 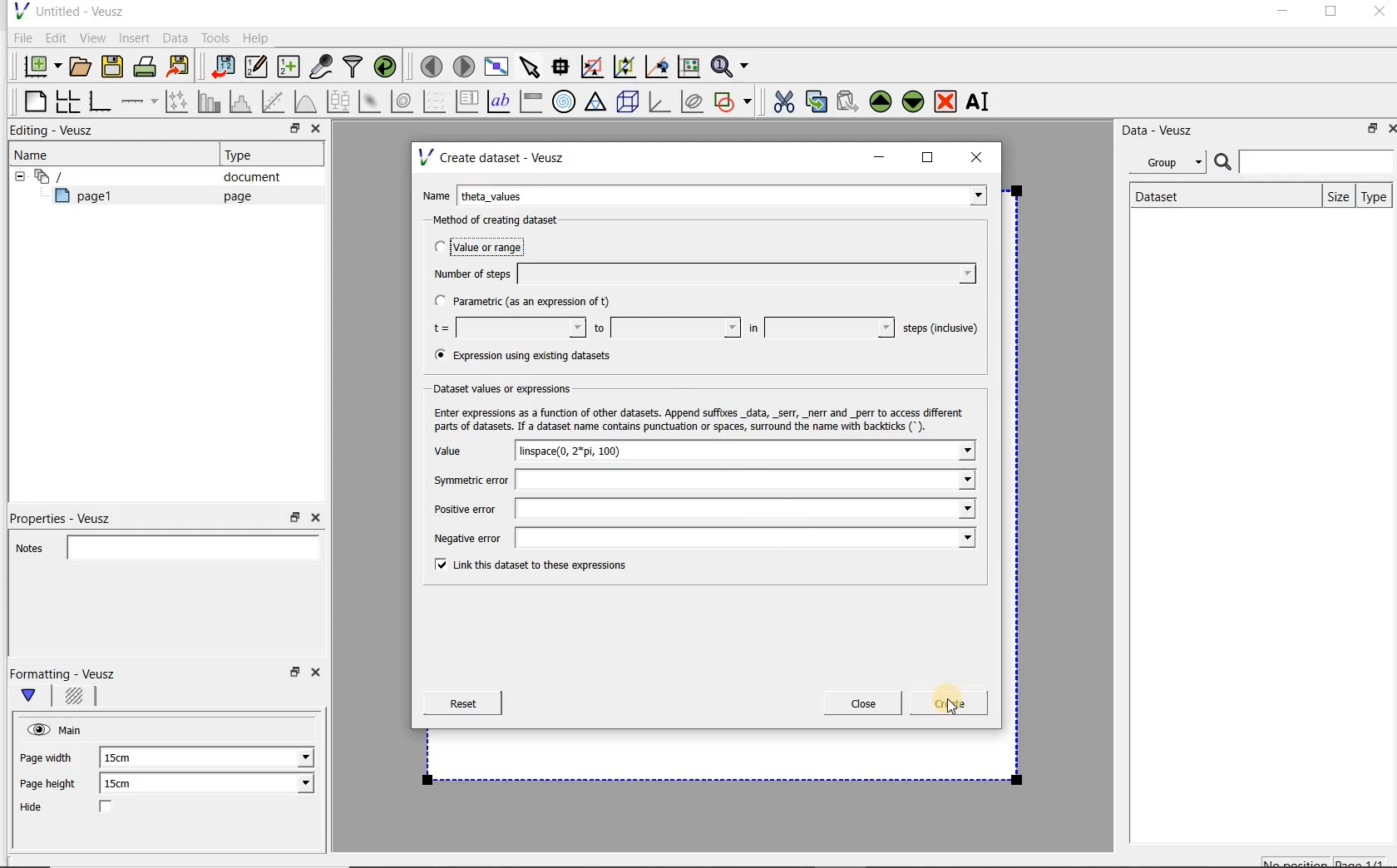 I want to click on view plot full screen, so click(x=495, y=65).